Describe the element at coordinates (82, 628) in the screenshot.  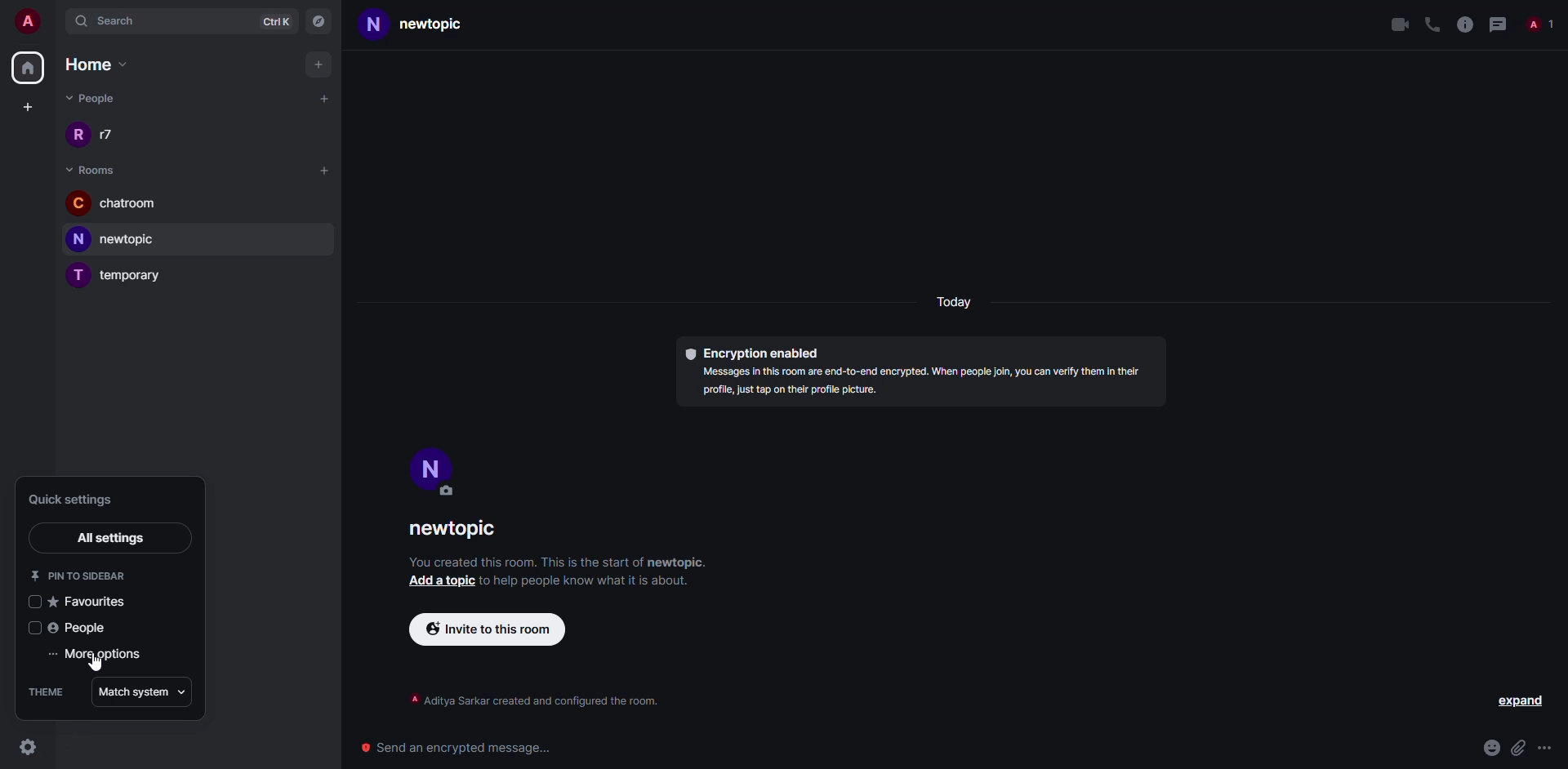
I see `people` at that location.